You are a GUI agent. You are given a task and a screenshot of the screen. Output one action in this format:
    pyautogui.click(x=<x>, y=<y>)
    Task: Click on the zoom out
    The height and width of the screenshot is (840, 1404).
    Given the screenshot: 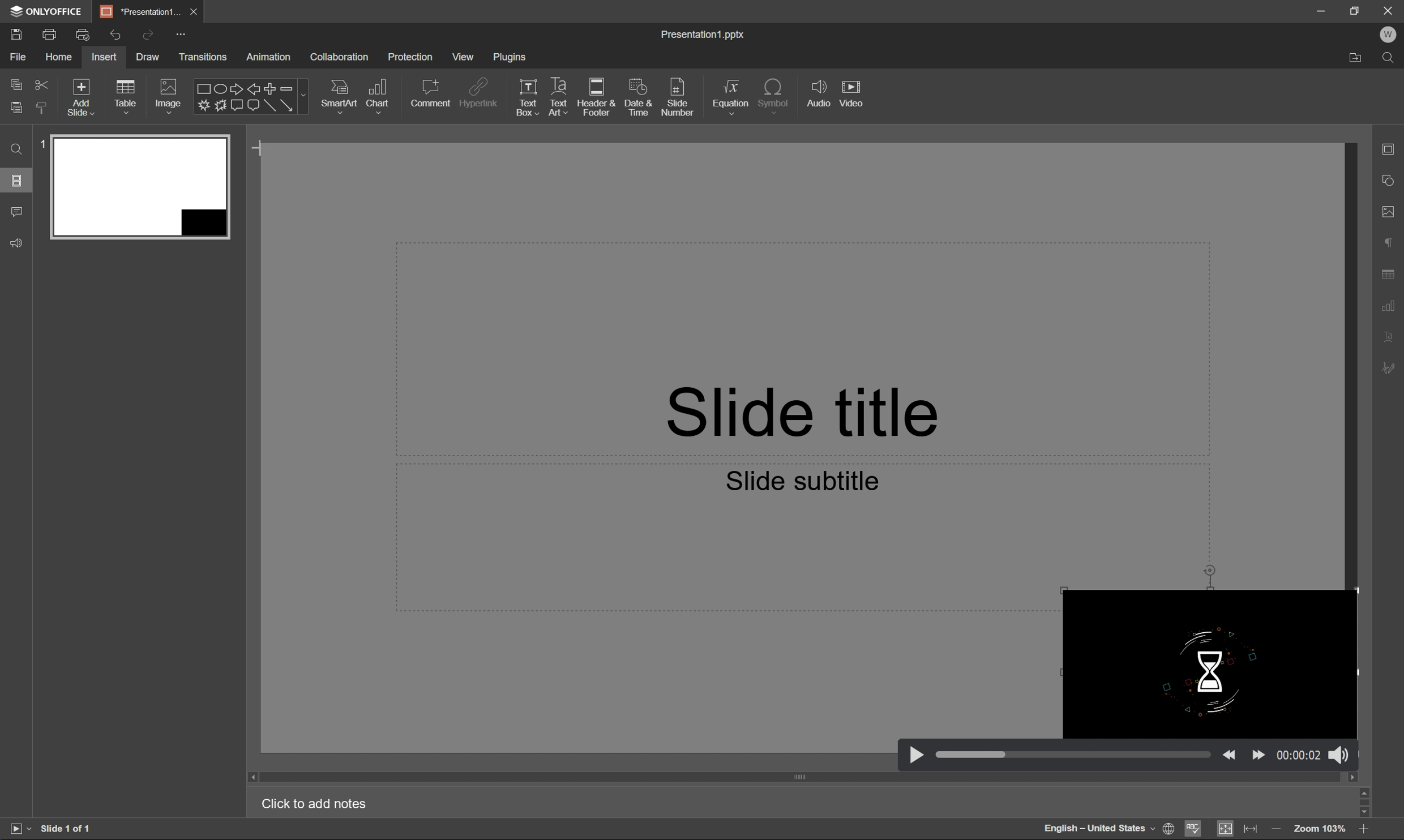 What is the action you would take?
    pyautogui.click(x=1367, y=832)
    